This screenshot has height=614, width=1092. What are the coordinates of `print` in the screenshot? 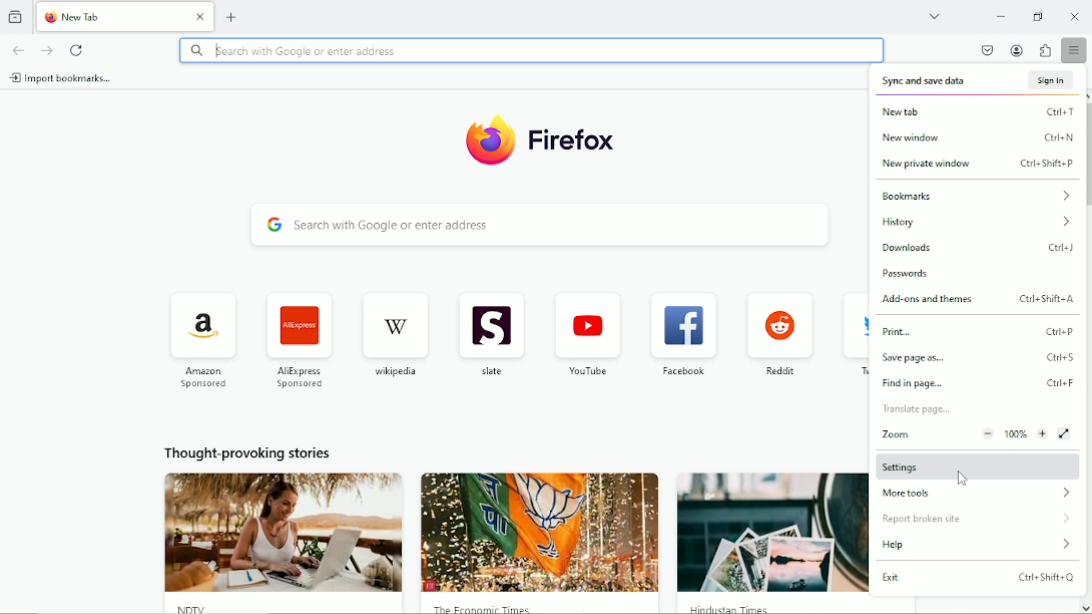 It's located at (979, 331).